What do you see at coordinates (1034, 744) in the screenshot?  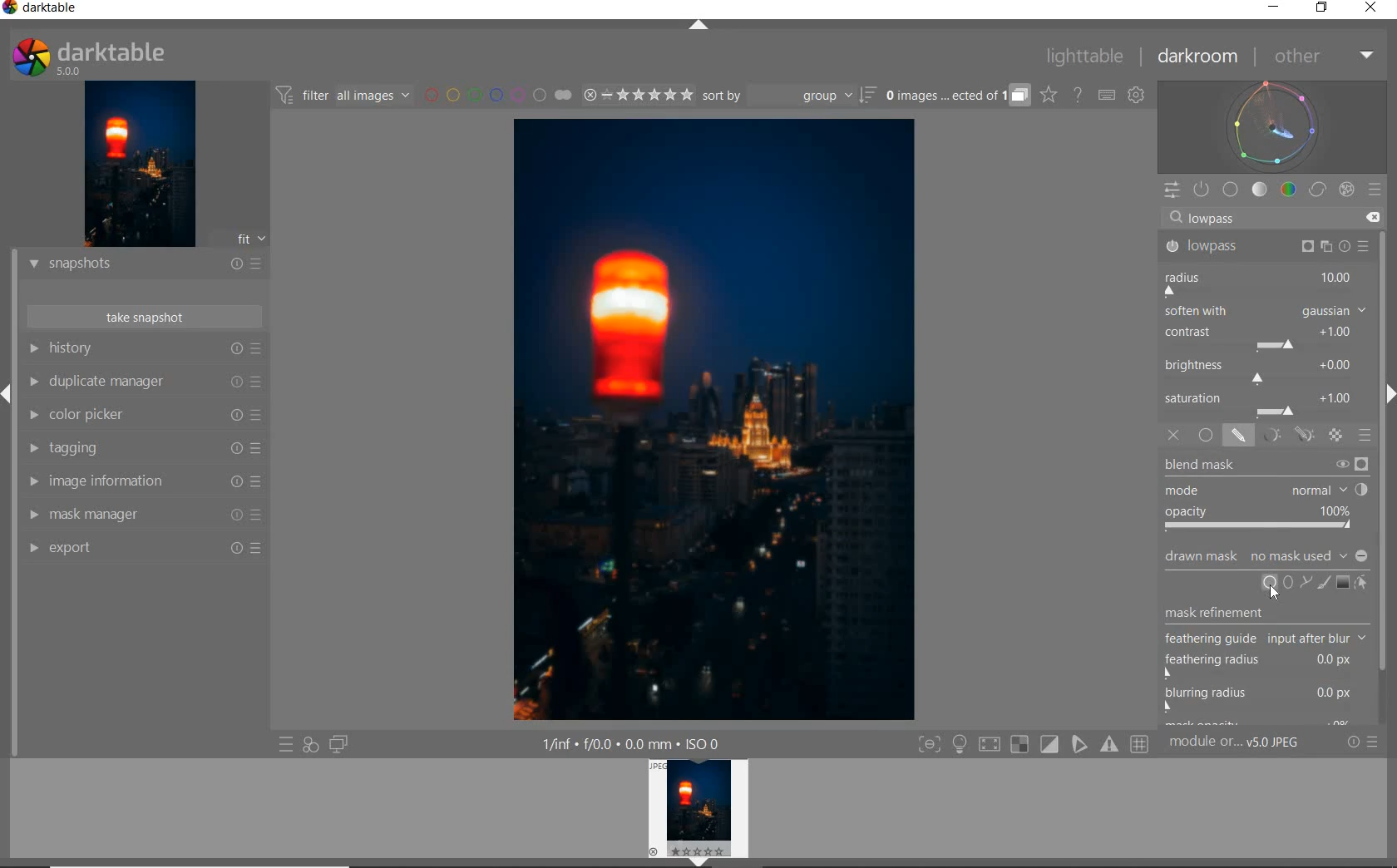 I see `TOGGLE MODES` at bounding box center [1034, 744].